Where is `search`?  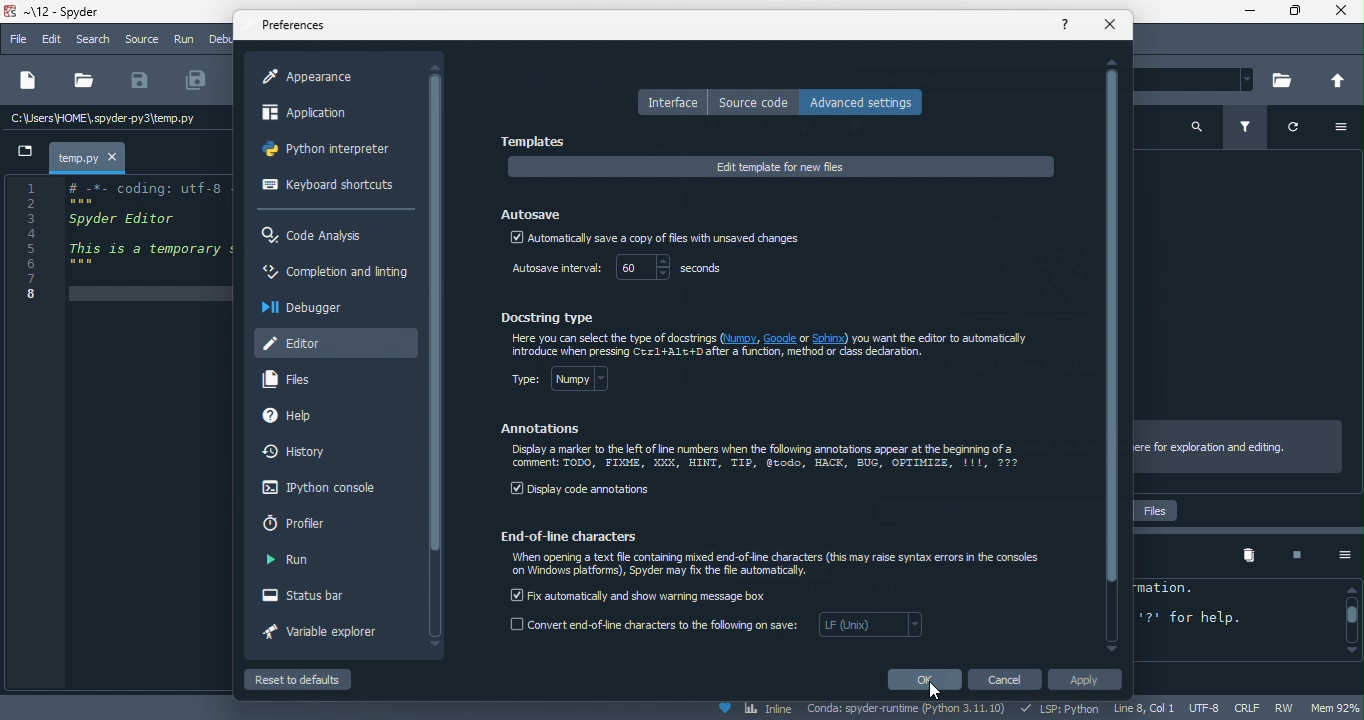 search is located at coordinates (1197, 125).